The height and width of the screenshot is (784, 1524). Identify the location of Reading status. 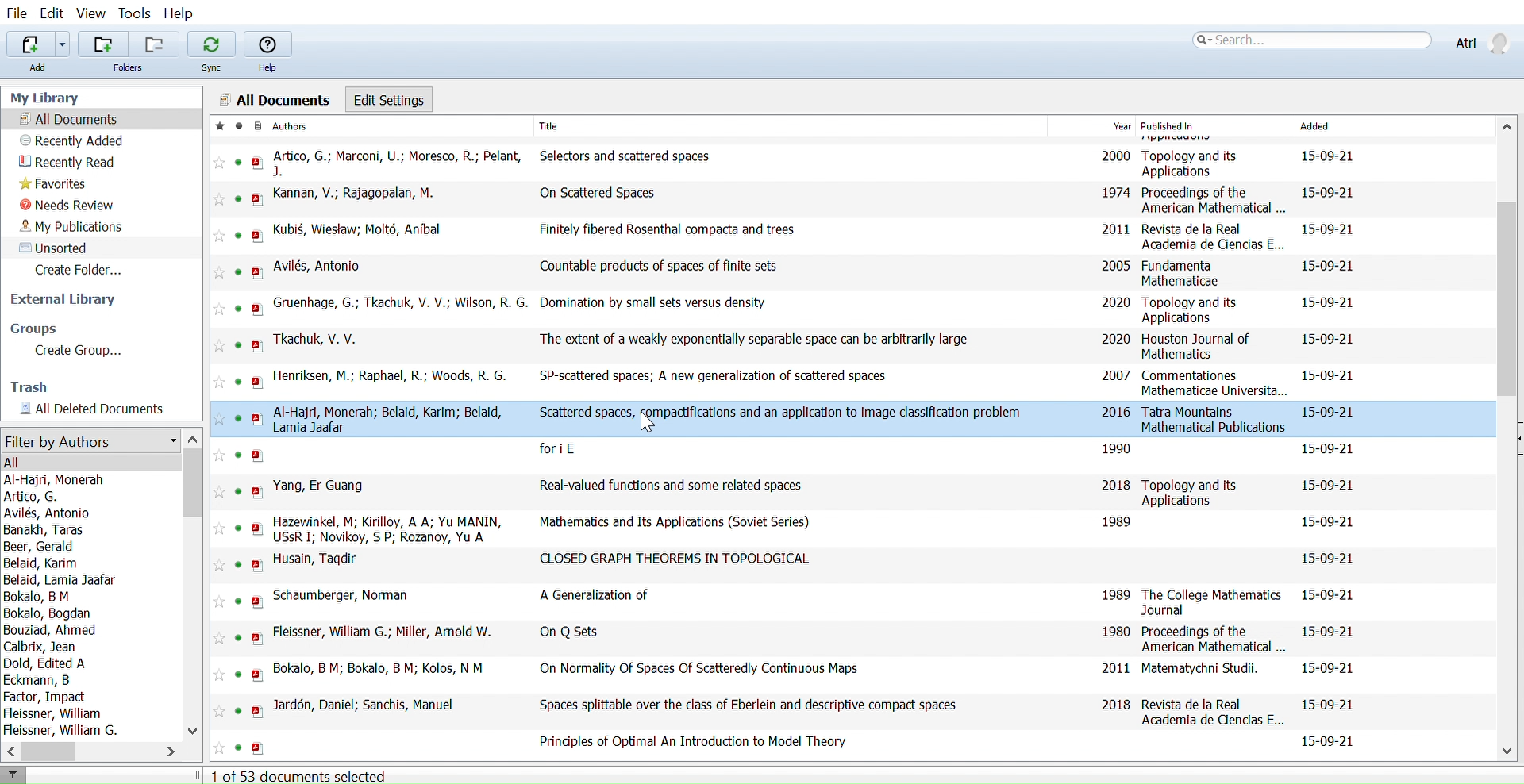
(236, 309).